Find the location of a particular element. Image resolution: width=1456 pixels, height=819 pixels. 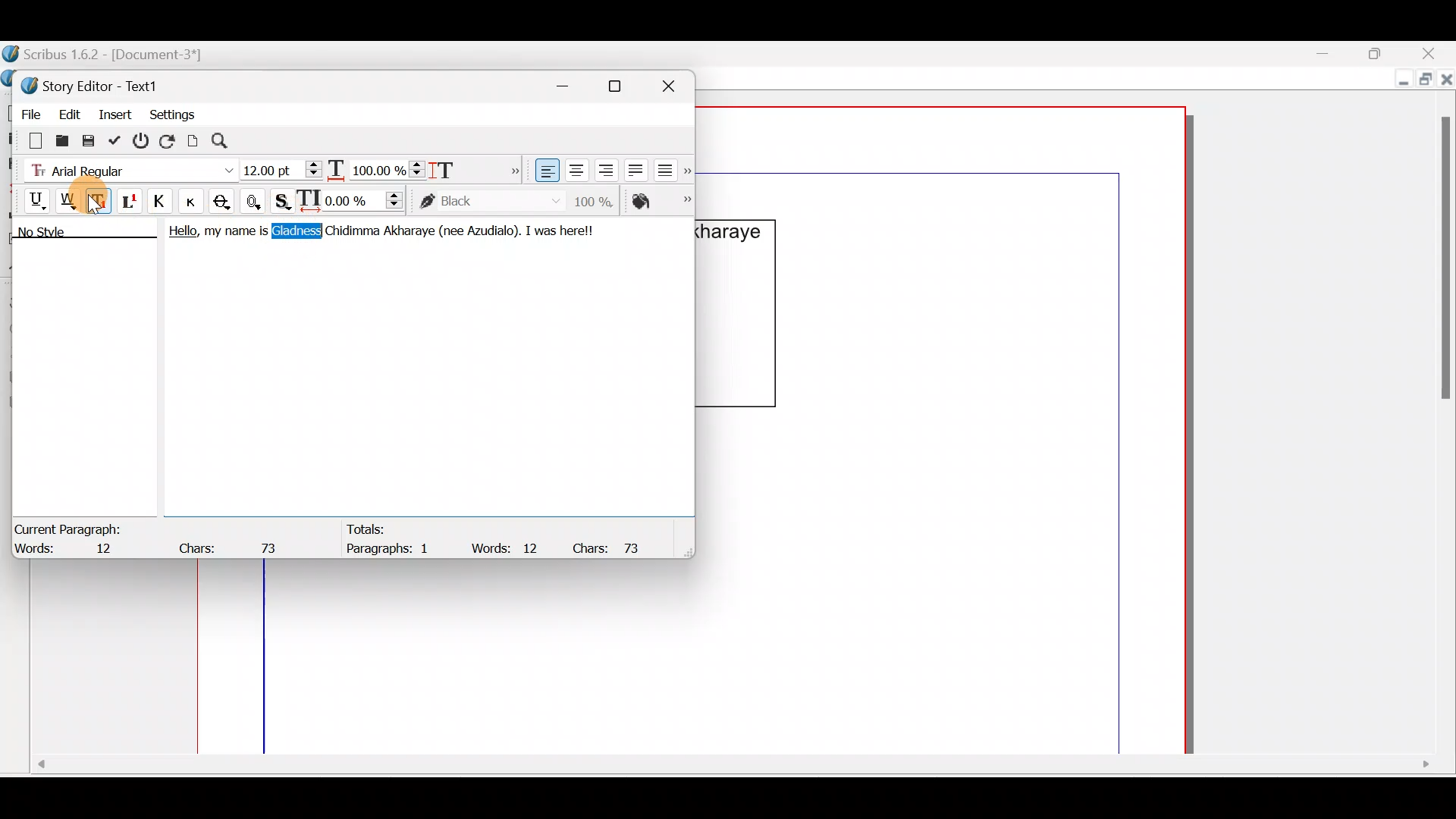

I was herel! is located at coordinates (563, 229).